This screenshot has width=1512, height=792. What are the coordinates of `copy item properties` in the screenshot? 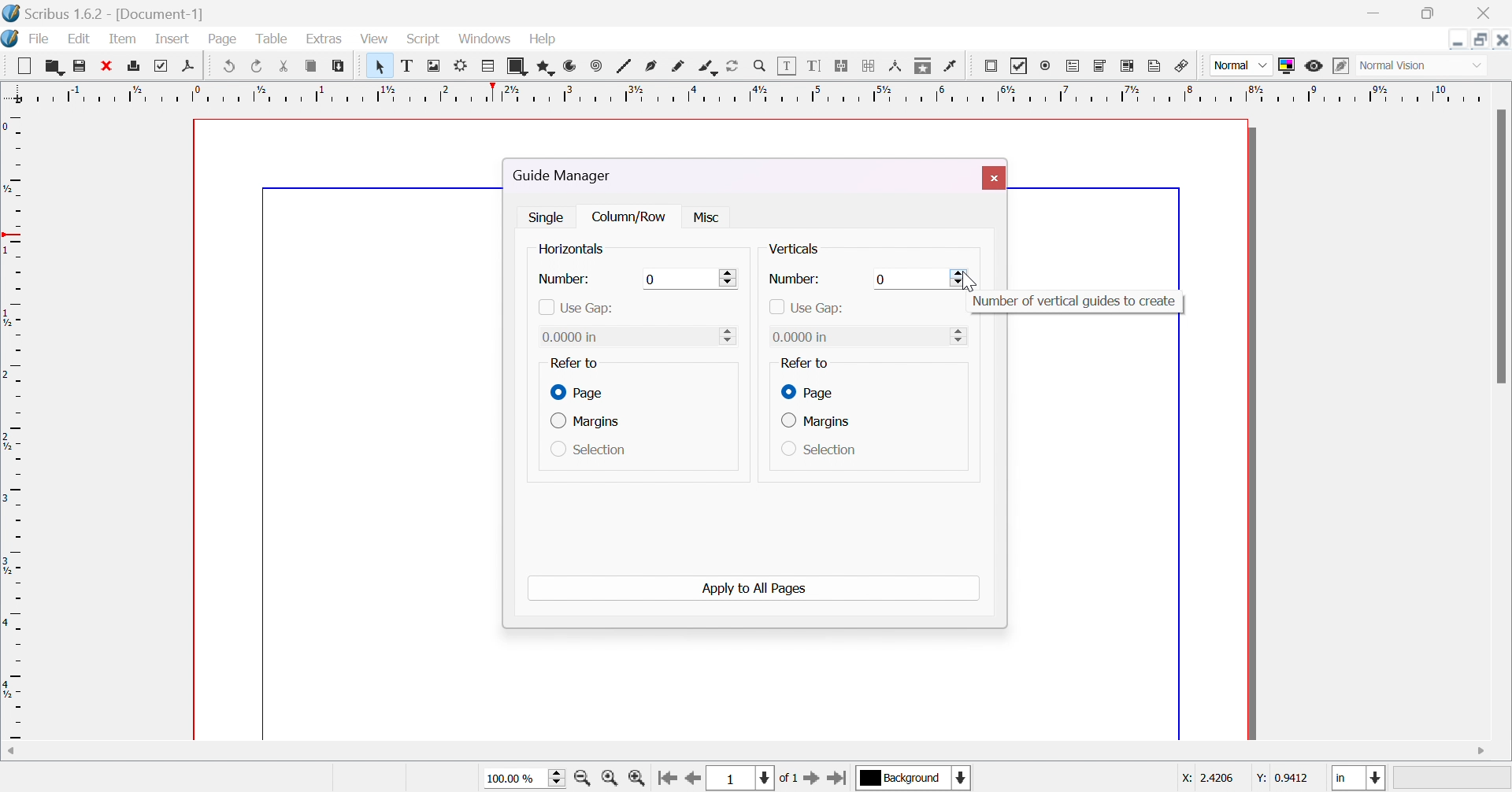 It's located at (925, 67).